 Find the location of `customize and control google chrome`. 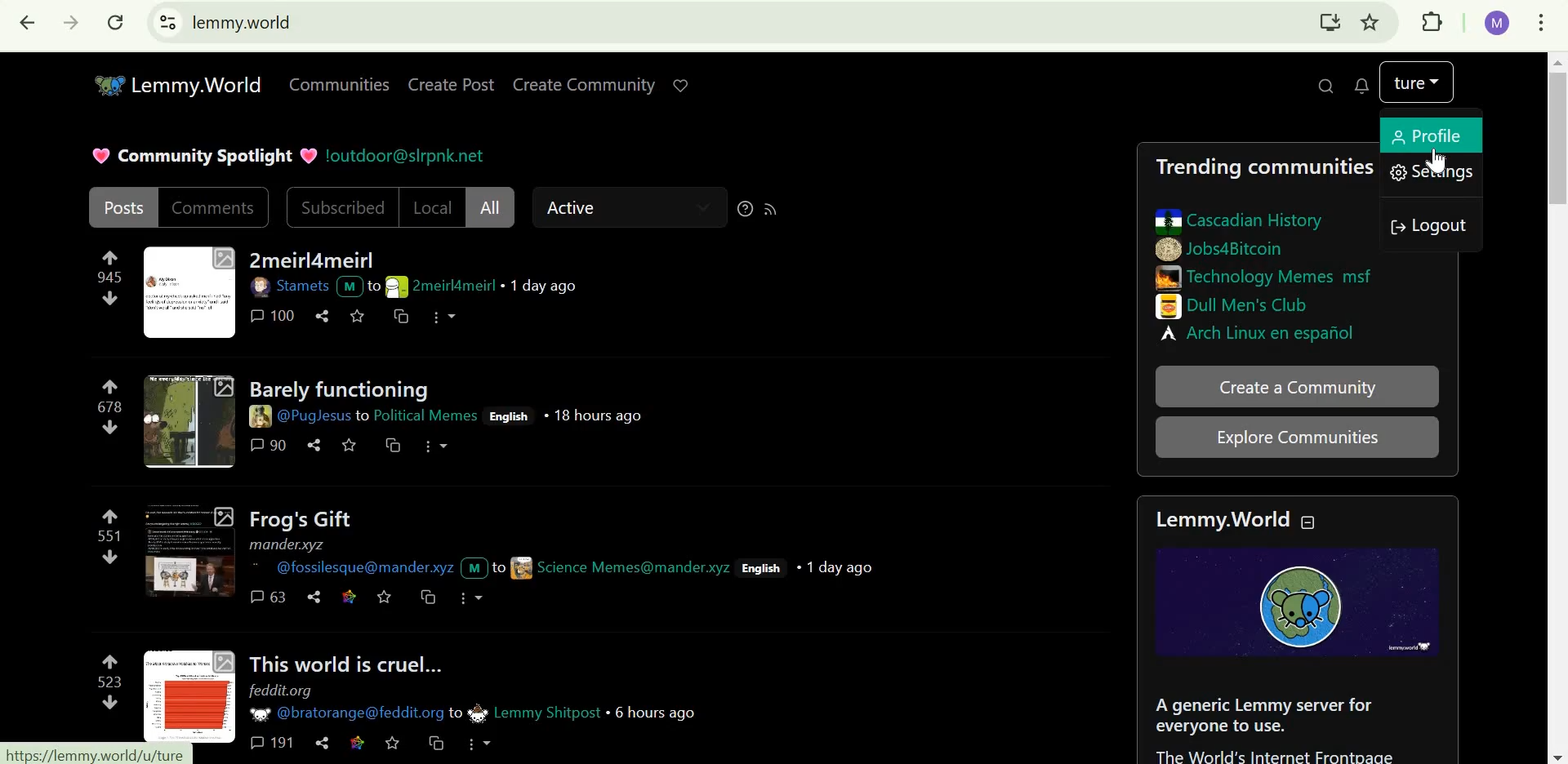

customize and control google chrome is located at coordinates (1544, 23).